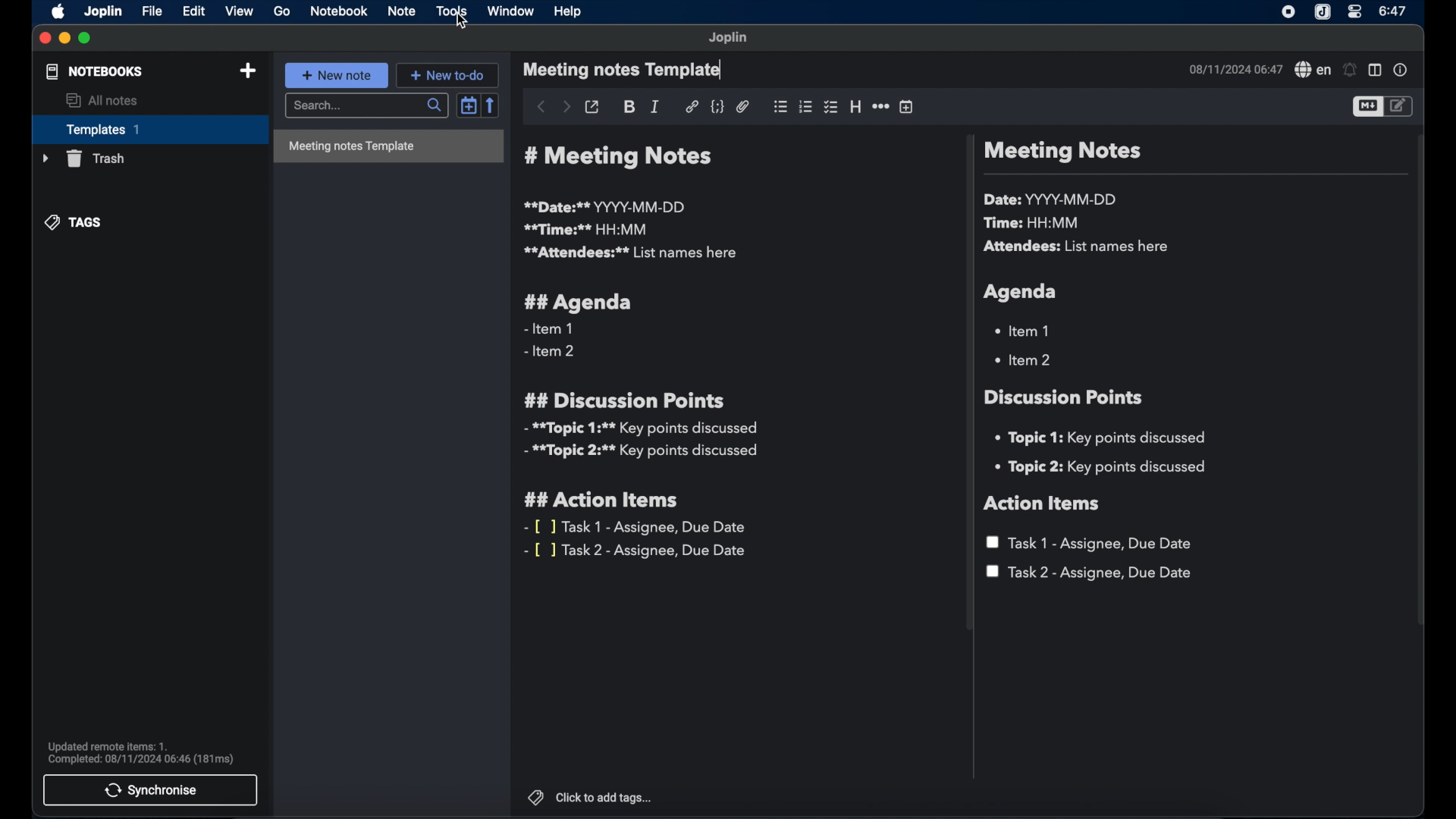  I want to click on task 2 assignee, due date, so click(1090, 573).